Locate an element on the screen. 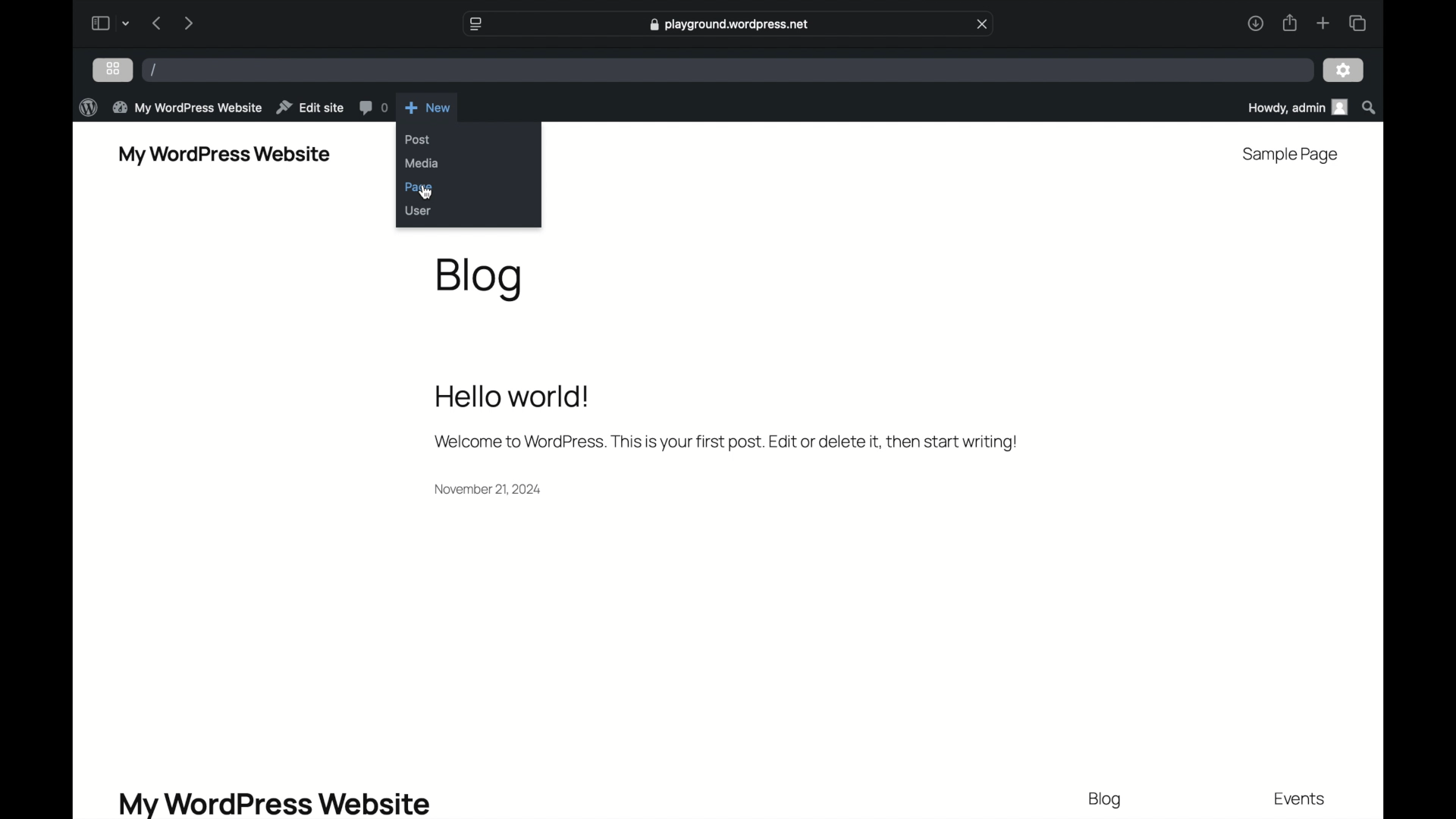  wordpress is located at coordinates (86, 107).